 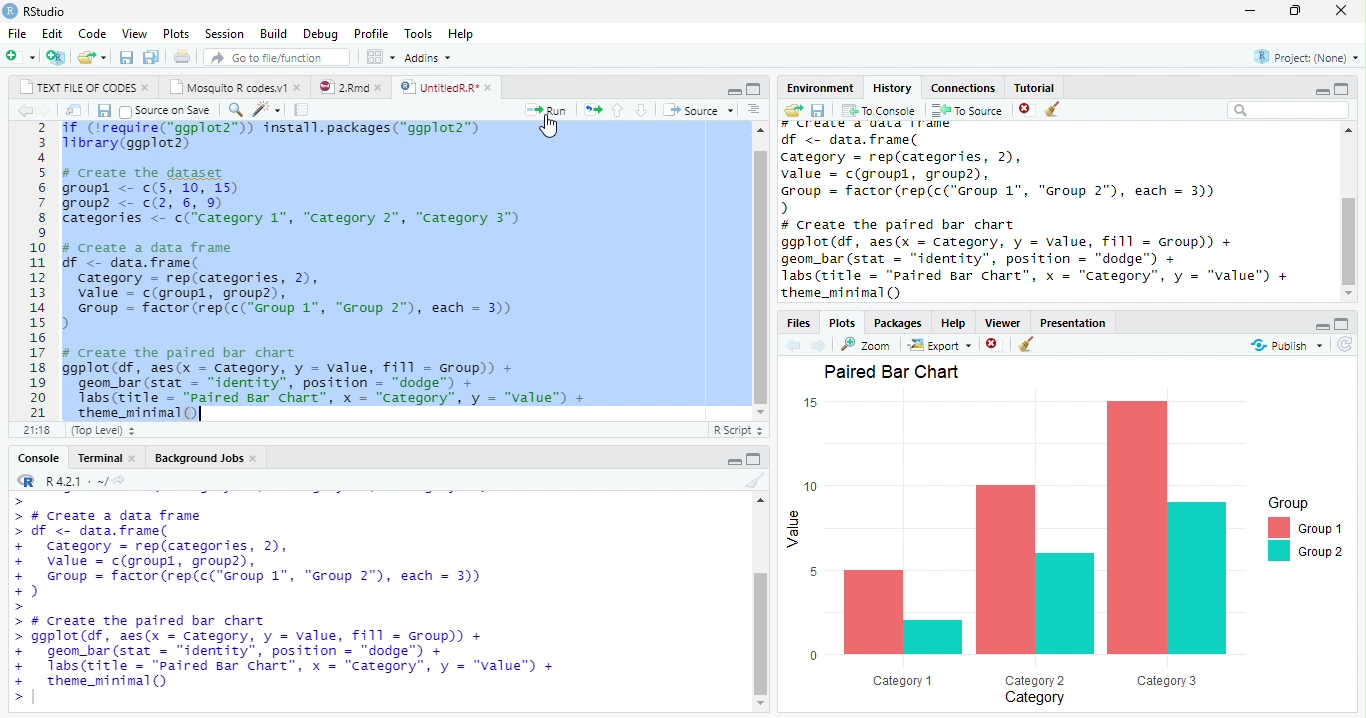 I want to click on  to source : insert the selected command into the current document , so click(x=964, y=110).